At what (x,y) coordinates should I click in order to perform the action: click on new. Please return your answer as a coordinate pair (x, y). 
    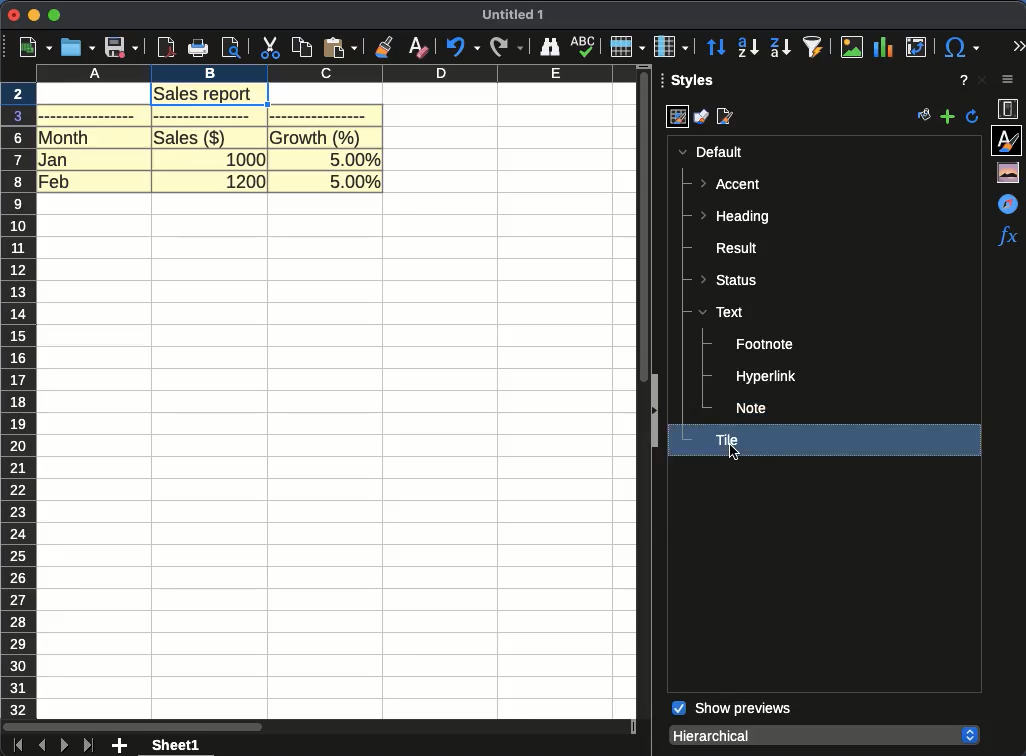
    Looking at the image, I should click on (31, 48).